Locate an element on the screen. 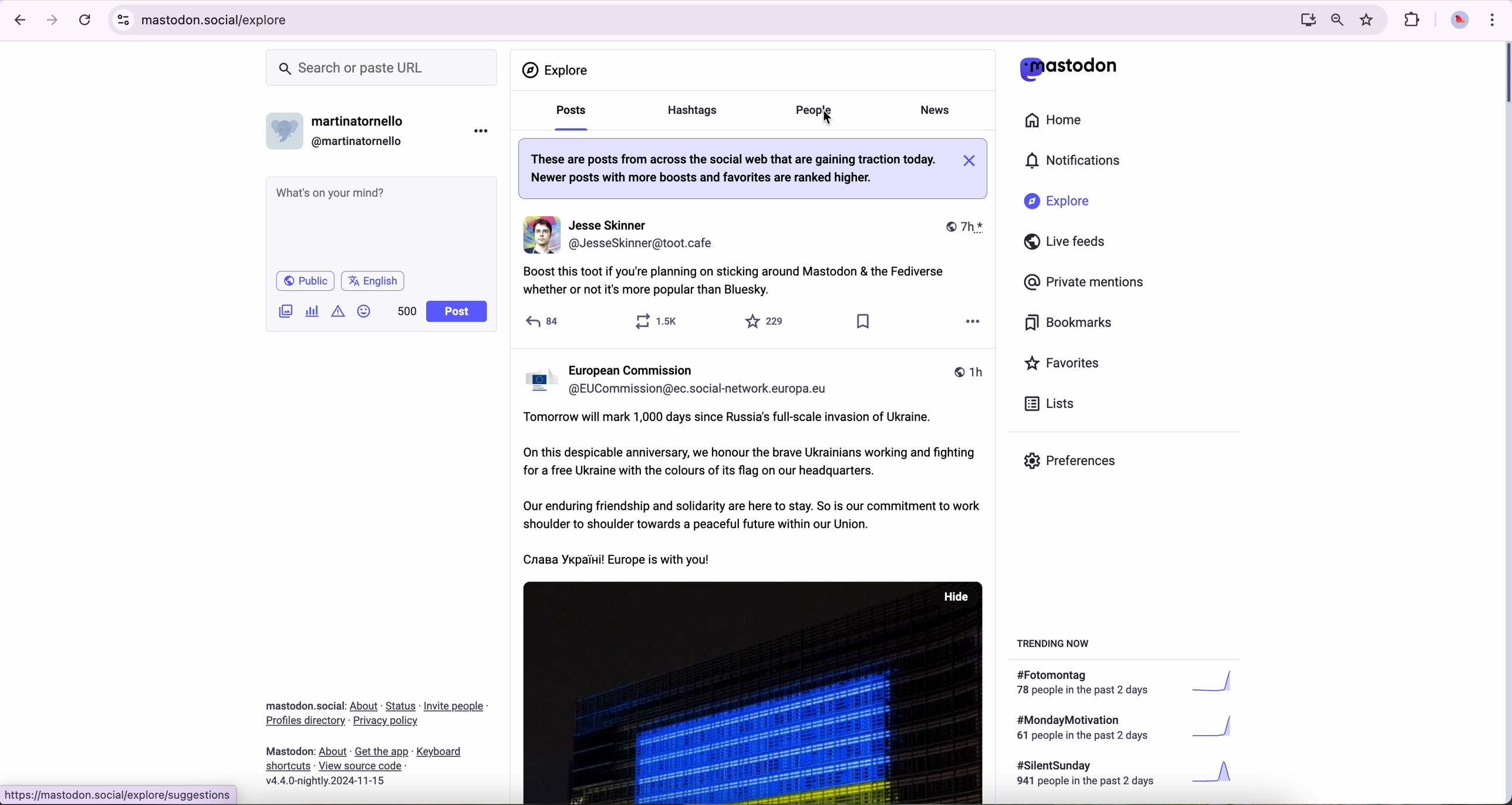  charts is located at coordinates (315, 311).